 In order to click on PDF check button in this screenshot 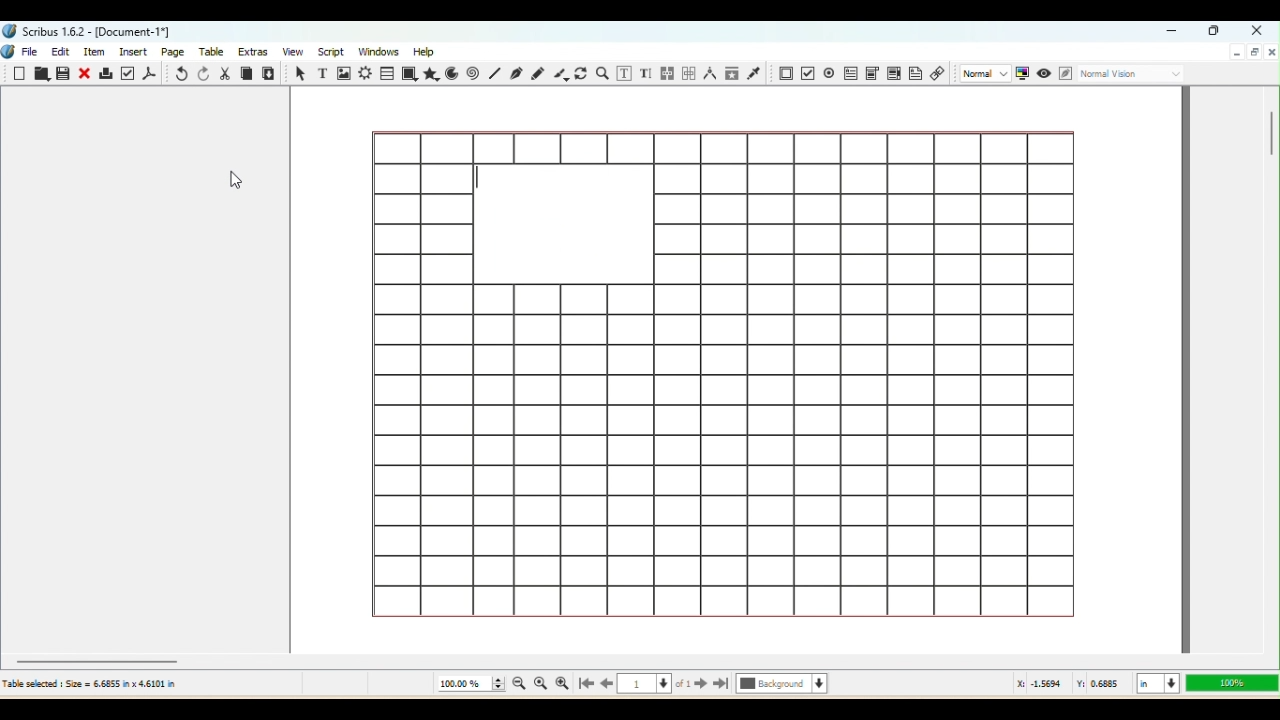, I will do `click(829, 72)`.